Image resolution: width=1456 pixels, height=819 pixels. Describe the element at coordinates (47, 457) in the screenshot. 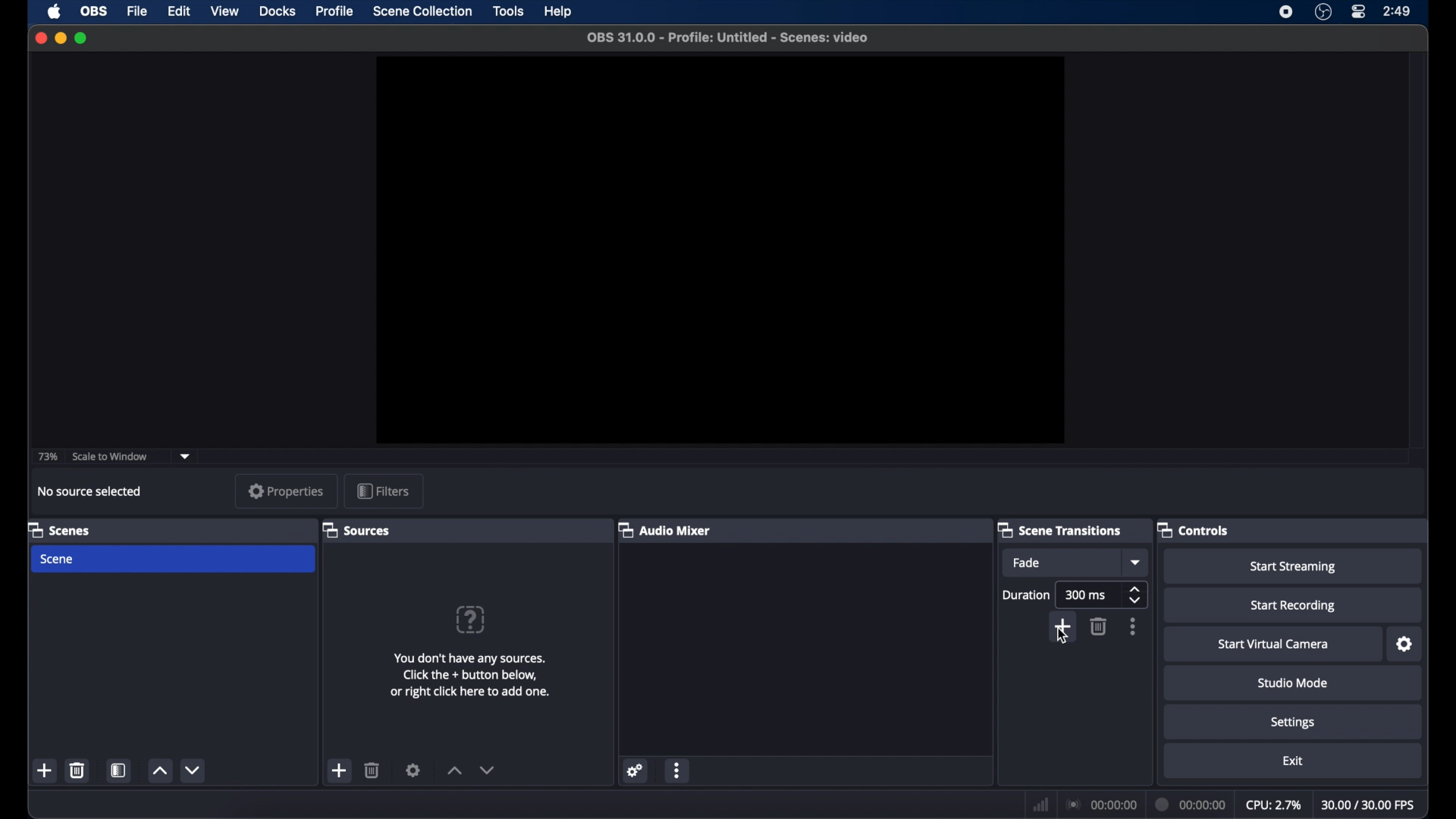

I see `73%` at that location.